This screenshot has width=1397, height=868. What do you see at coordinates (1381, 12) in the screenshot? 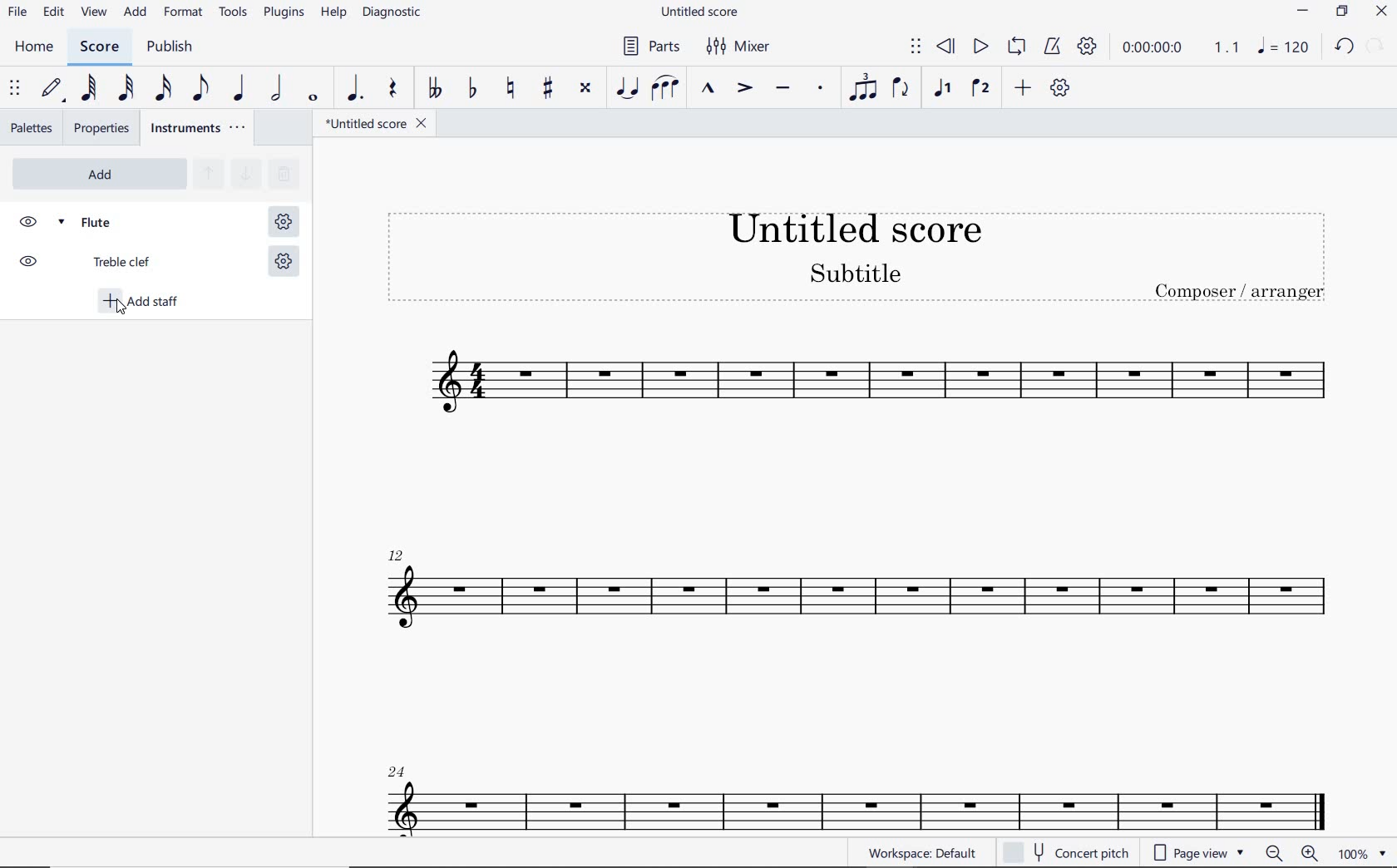
I see `CLOSE` at bounding box center [1381, 12].